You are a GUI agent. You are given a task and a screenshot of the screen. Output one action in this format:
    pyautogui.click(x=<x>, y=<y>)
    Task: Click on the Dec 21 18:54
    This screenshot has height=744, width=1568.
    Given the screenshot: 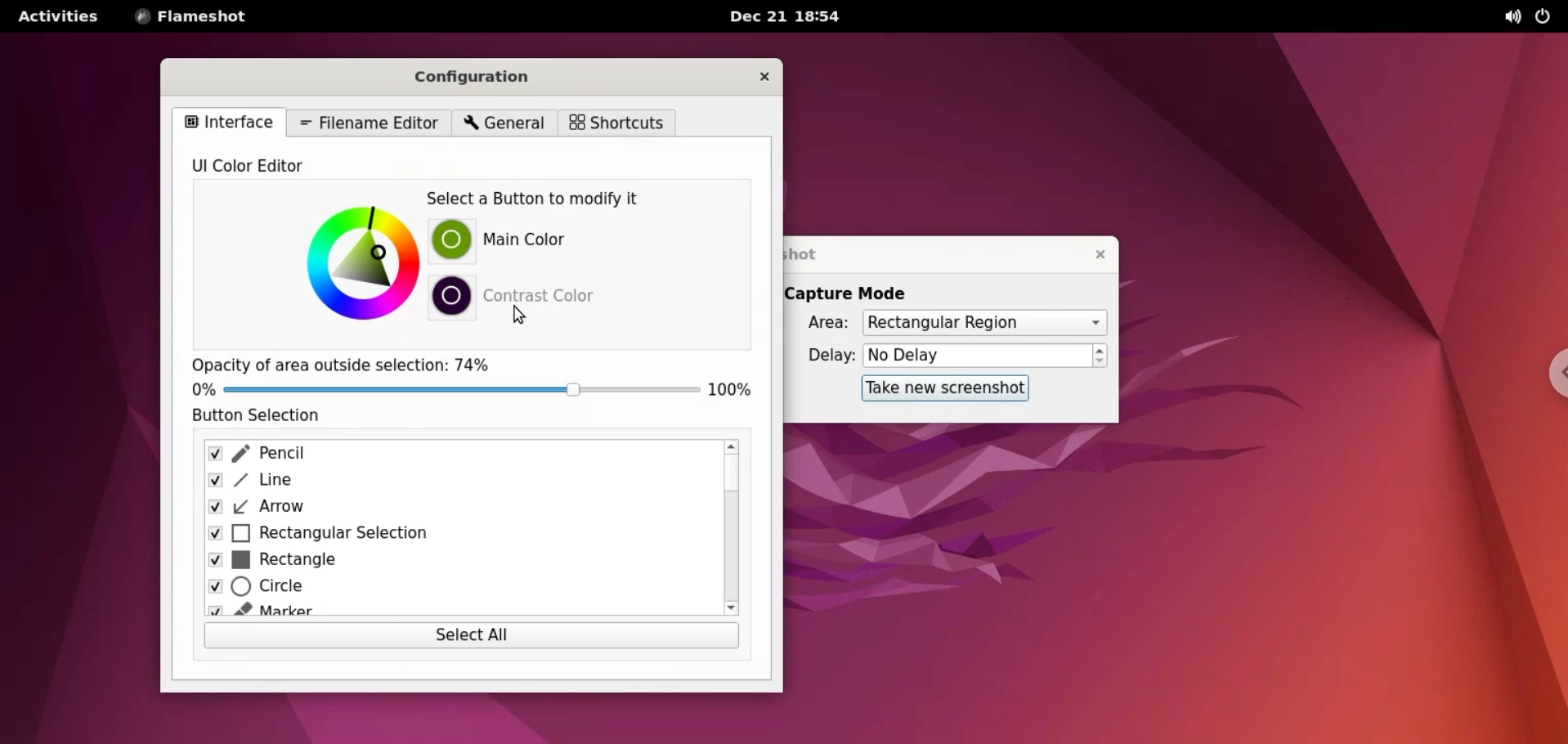 What is the action you would take?
    pyautogui.click(x=792, y=16)
    